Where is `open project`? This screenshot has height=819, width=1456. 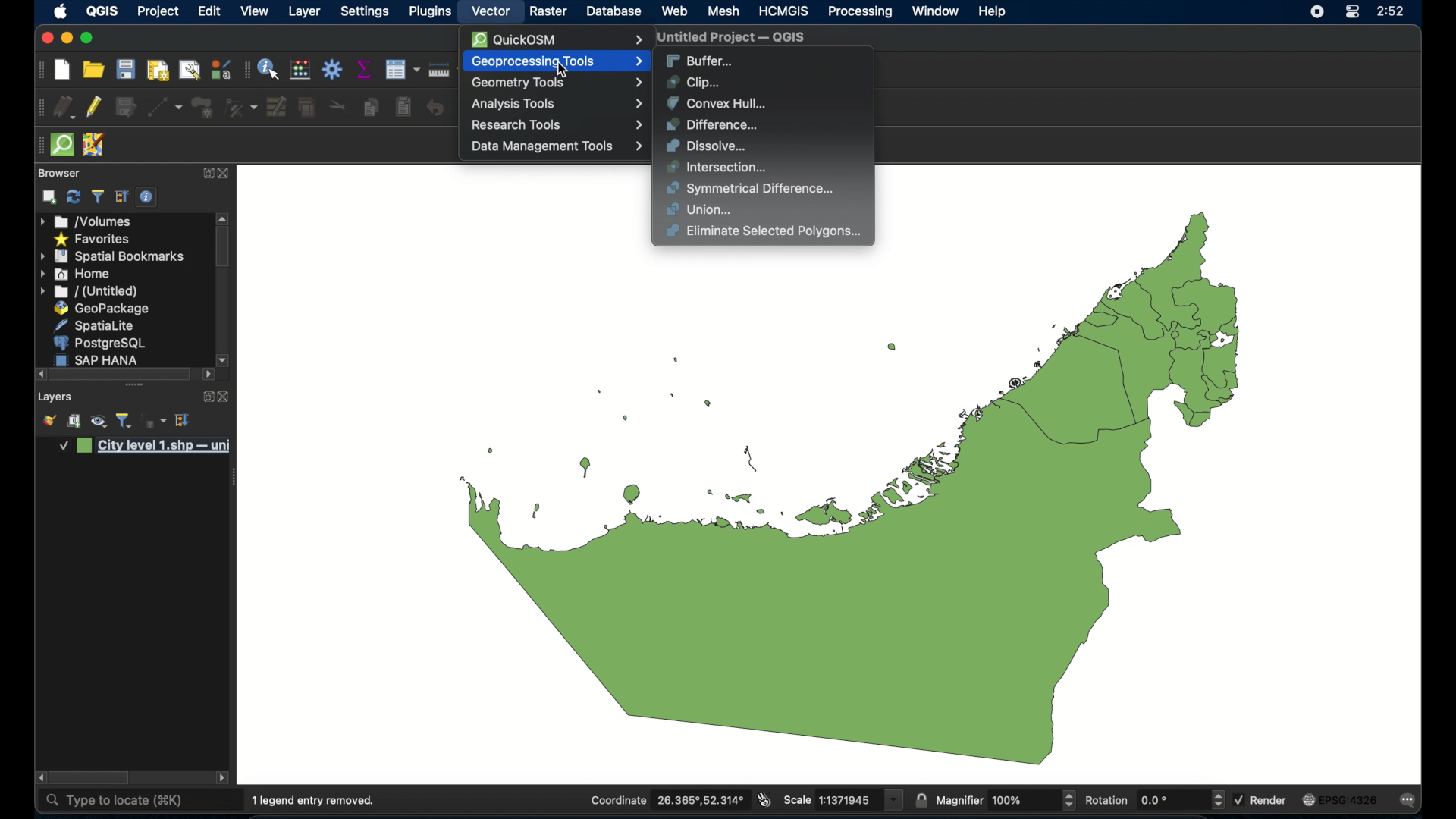
open project is located at coordinates (93, 69).